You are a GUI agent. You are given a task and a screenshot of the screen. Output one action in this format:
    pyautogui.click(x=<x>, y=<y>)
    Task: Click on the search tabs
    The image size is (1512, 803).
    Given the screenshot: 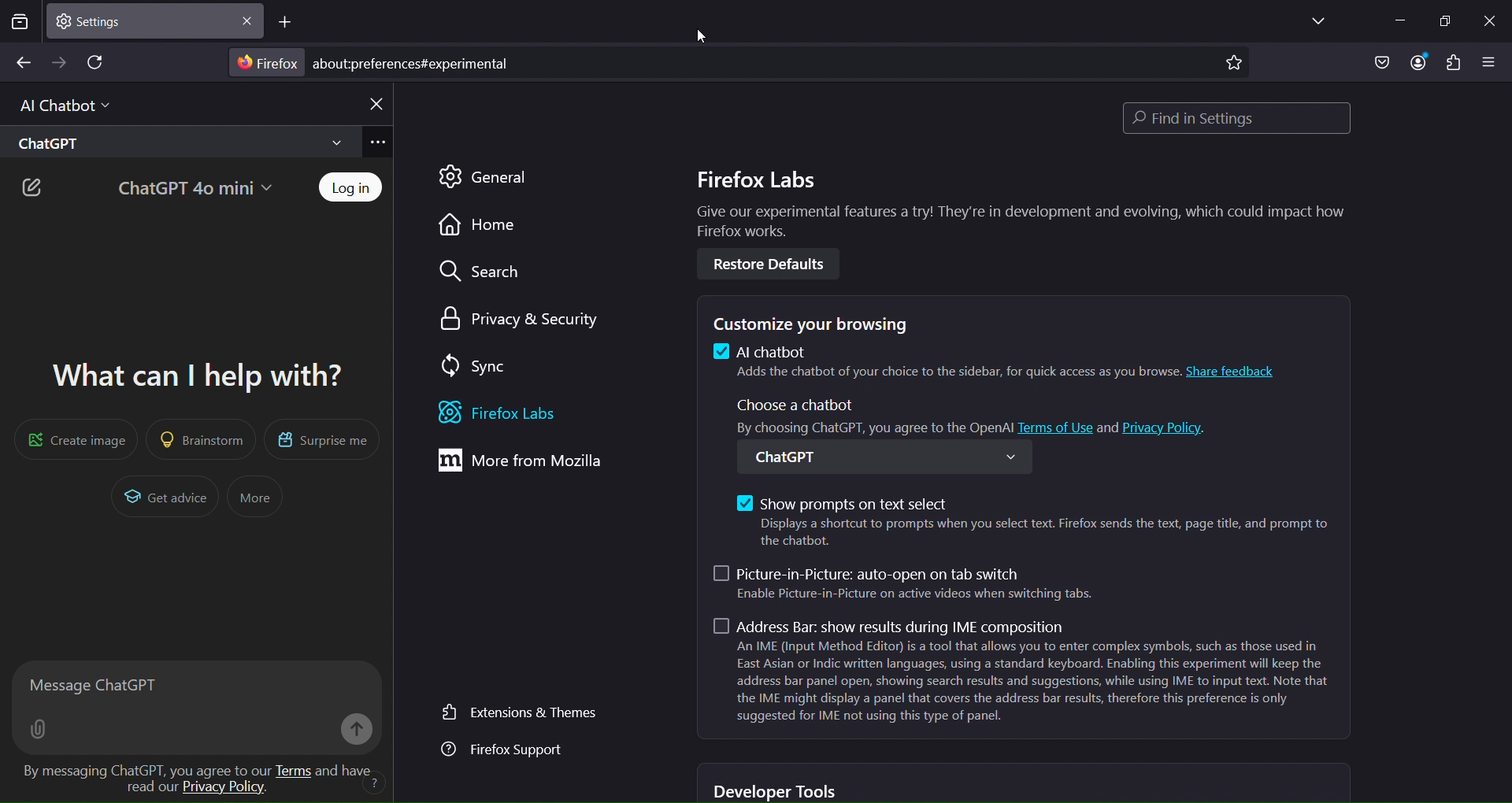 What is the action you would take?
    pyautogui.click(x=20, y=24)
    